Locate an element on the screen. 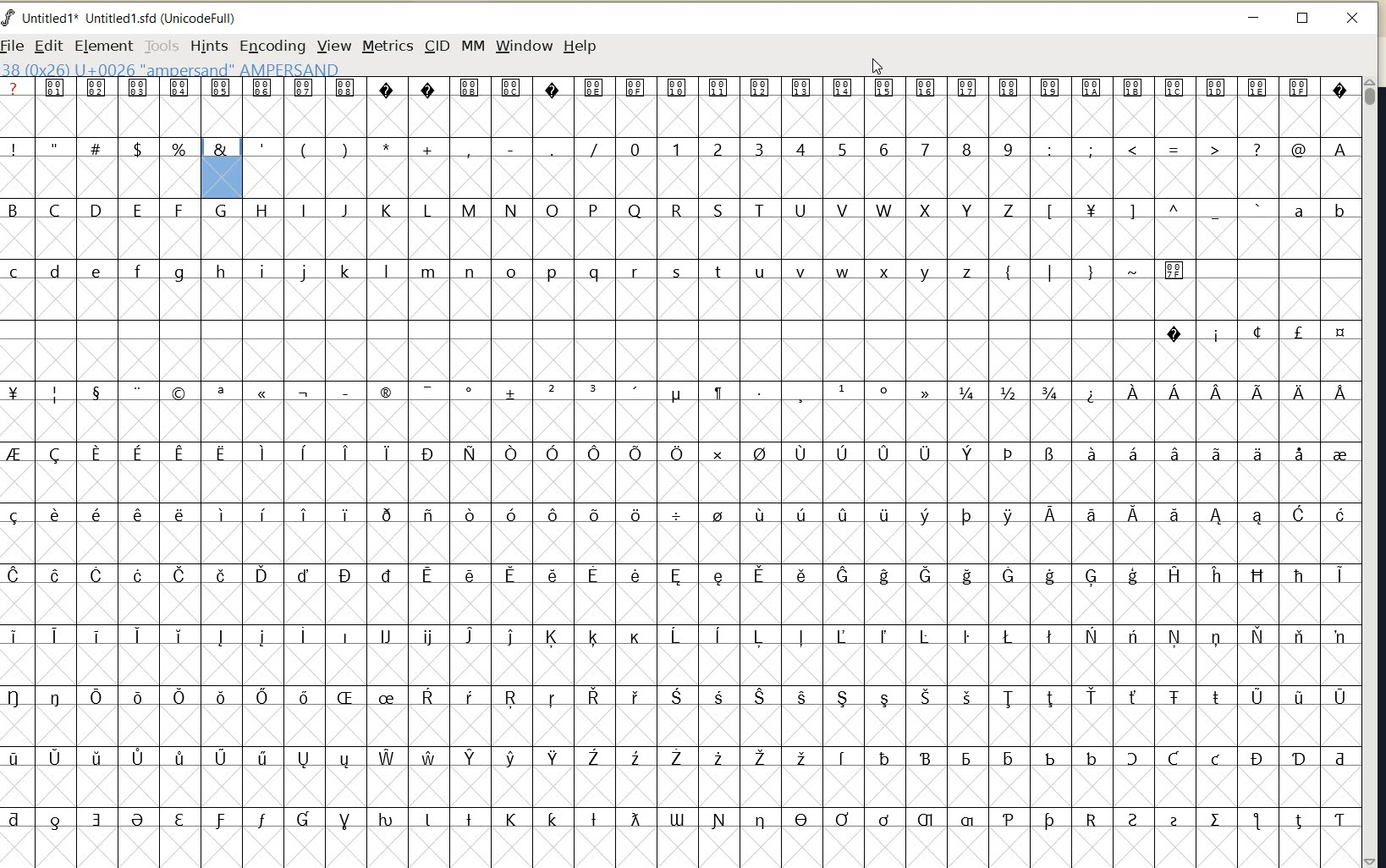 Image resolution: width=1386 pixels, height=868 pixels. HELP is located at coordinates (580, 47).